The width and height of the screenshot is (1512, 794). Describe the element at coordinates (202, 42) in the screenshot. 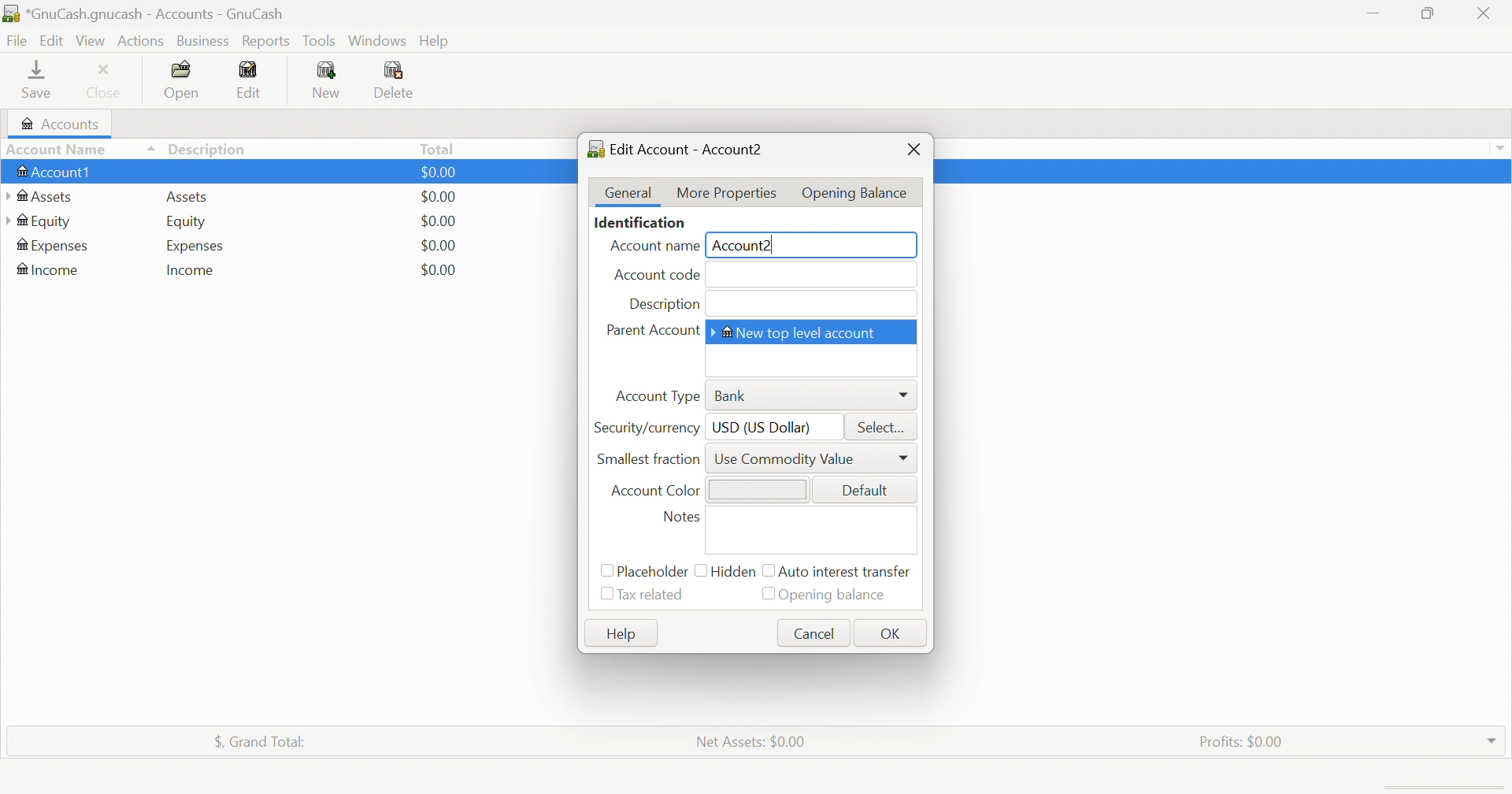

I see `Business` at that location.